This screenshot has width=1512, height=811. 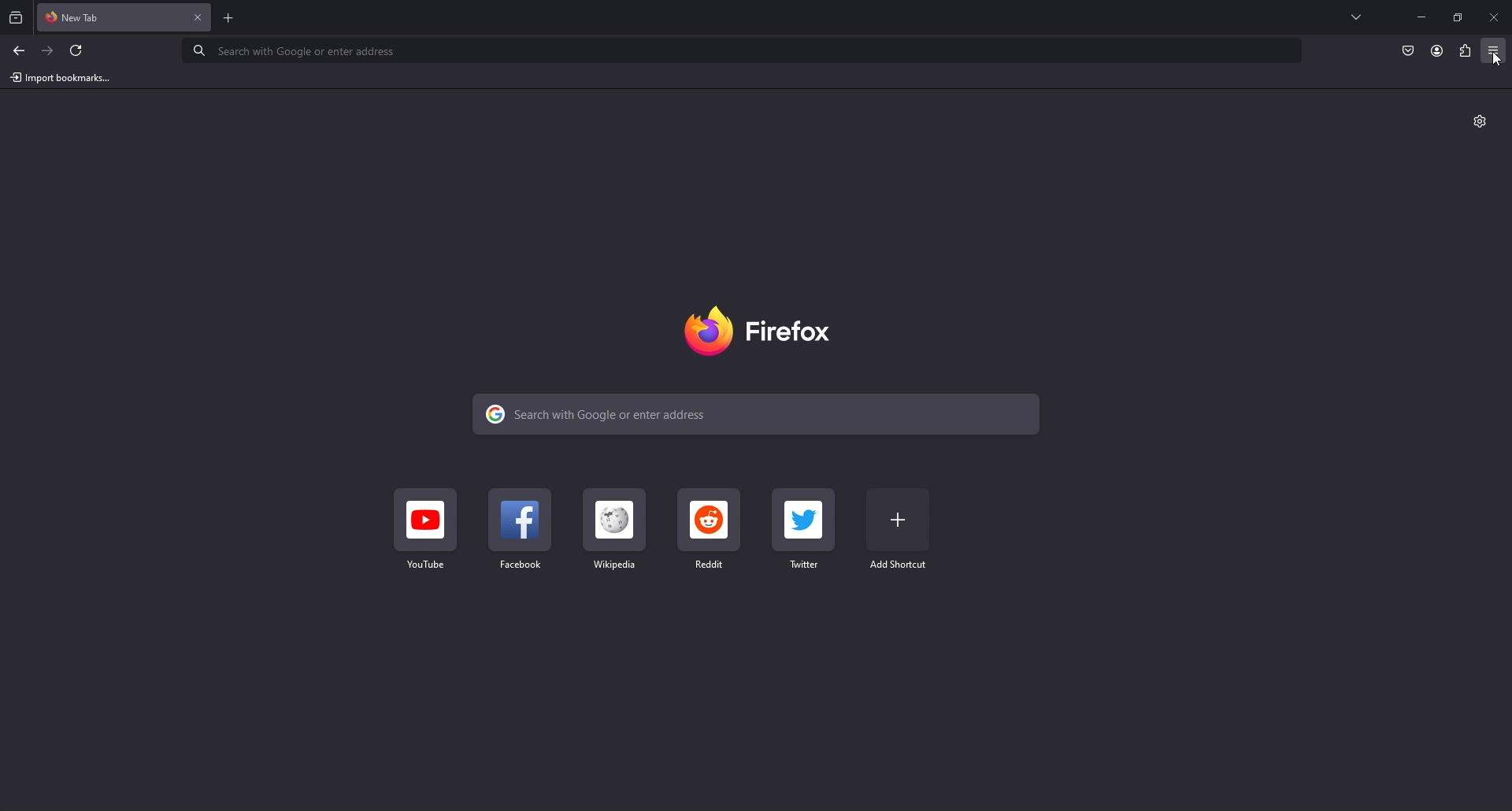 I want to click on customize, so click(x=1481, y=120).